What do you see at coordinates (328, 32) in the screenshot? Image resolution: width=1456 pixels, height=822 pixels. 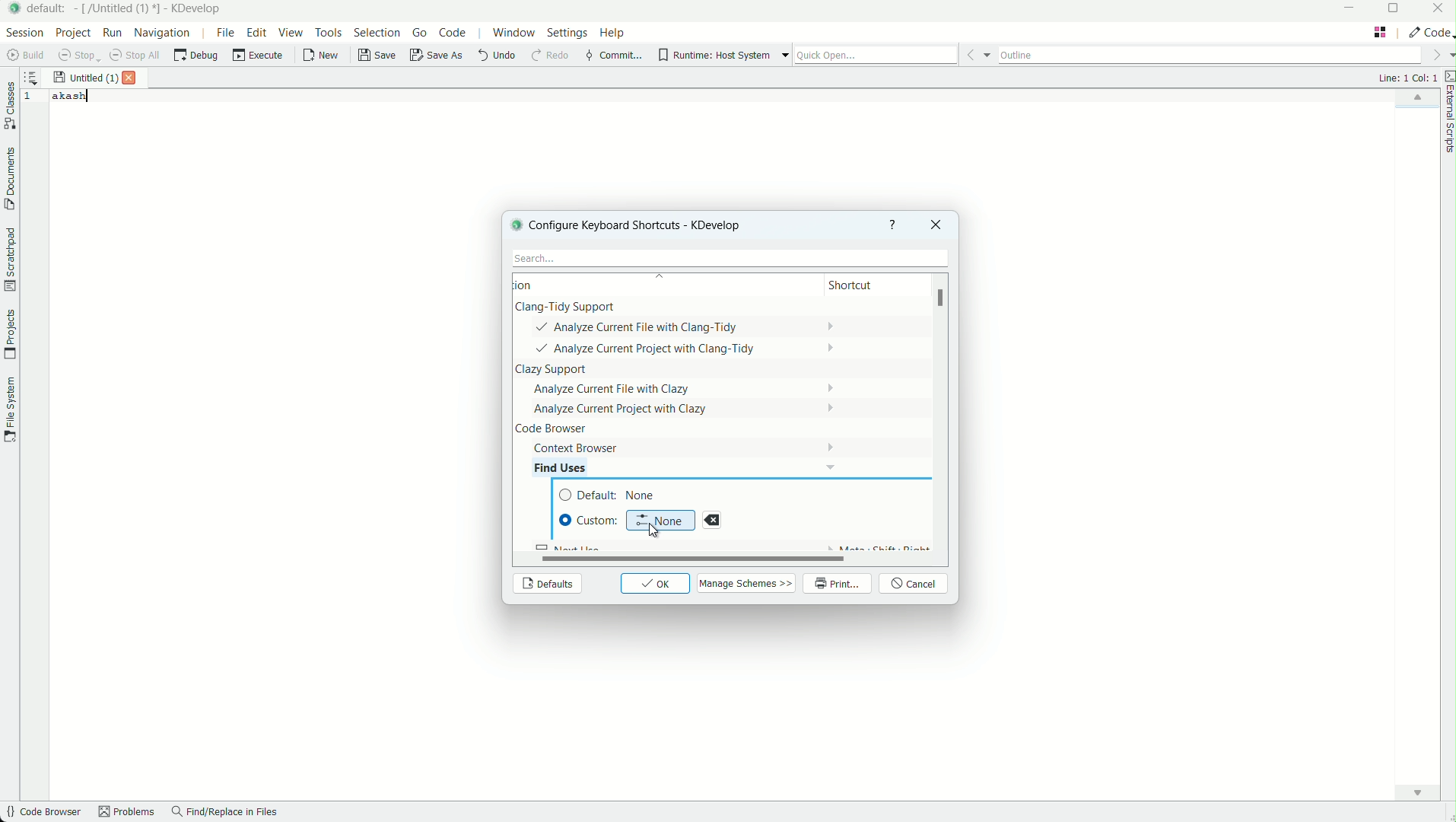 I see `tools menu` at bounding box center [328, 32].